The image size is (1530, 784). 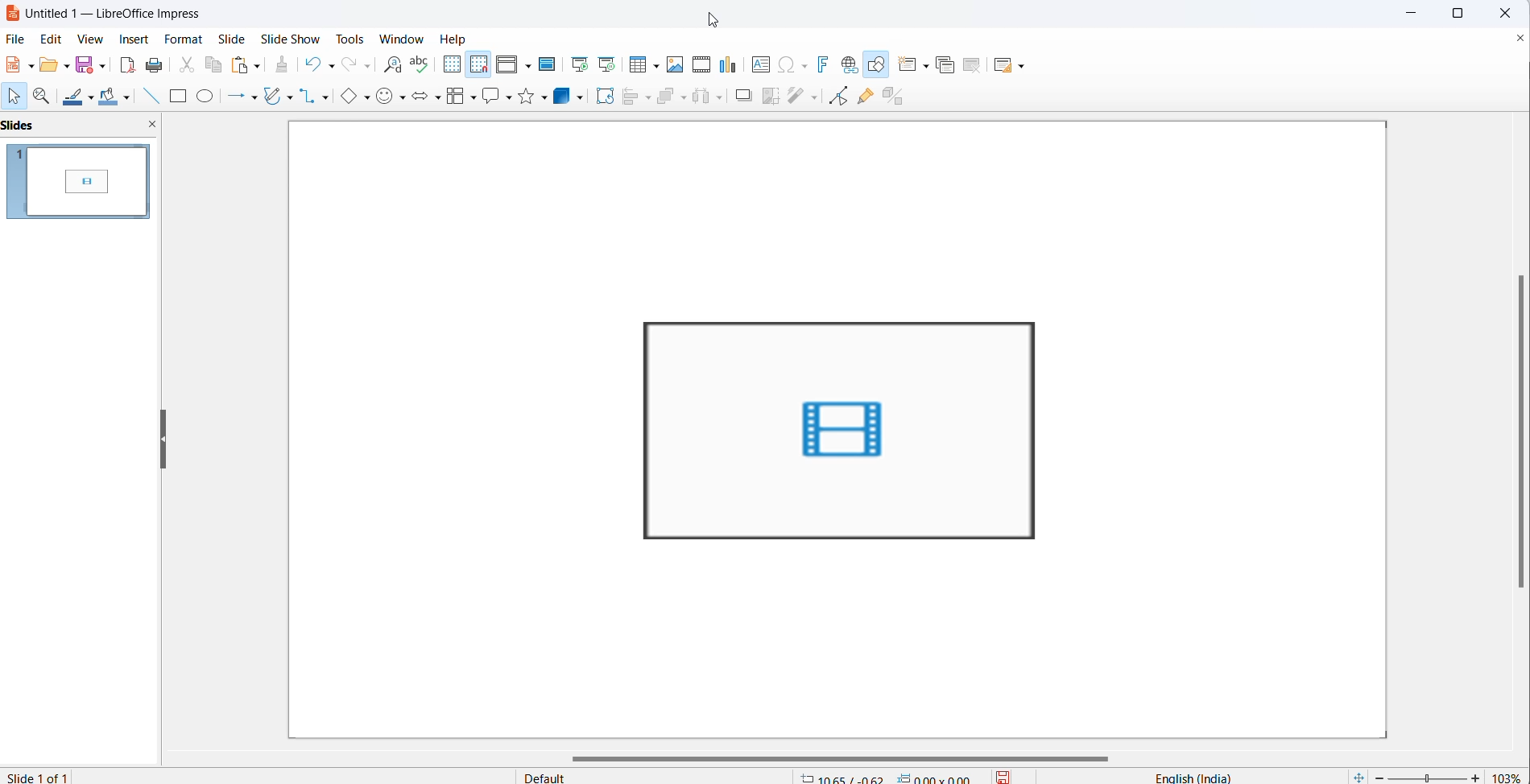 I want to click on selection markup, so click(x=1036, y=318).